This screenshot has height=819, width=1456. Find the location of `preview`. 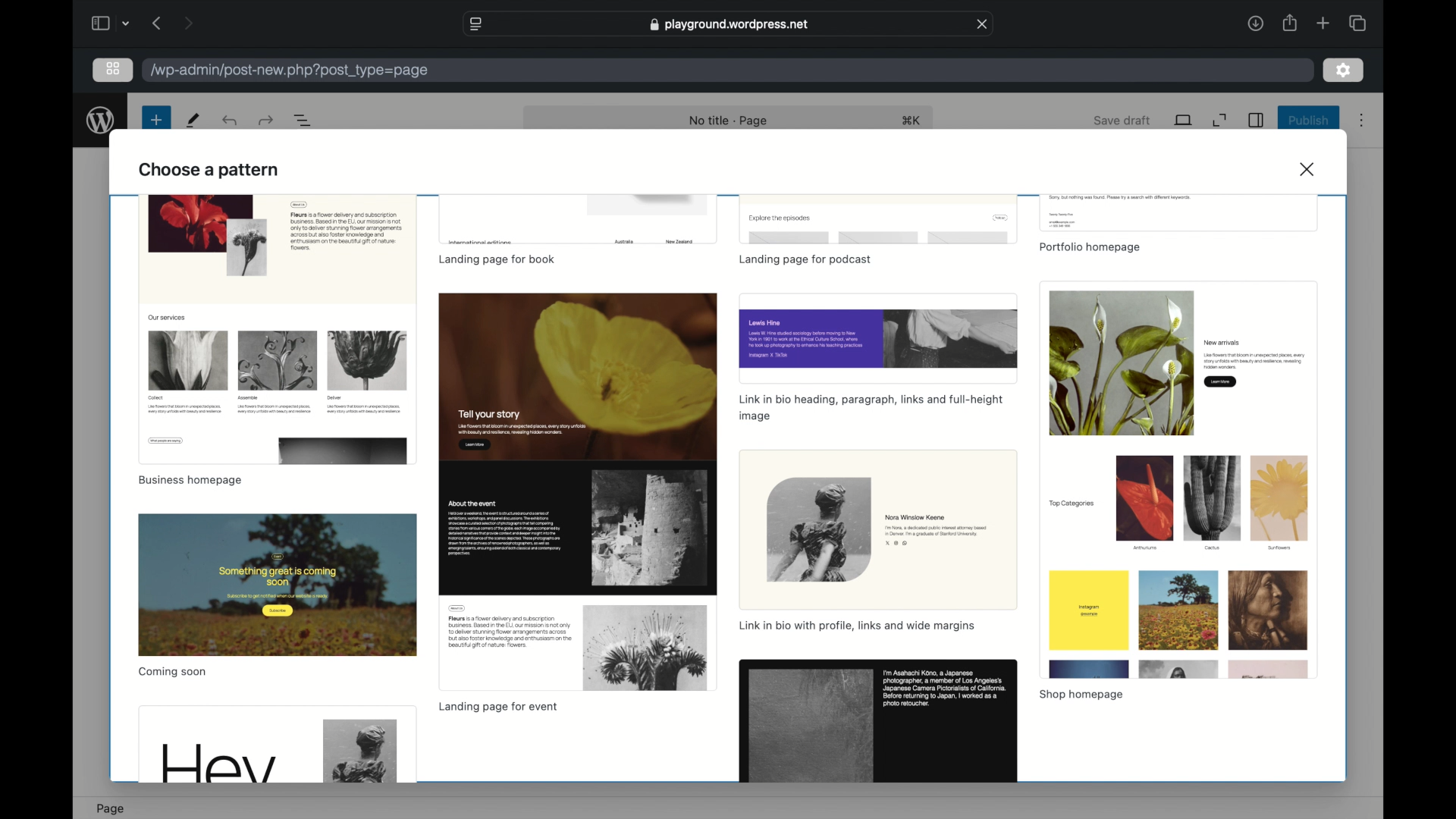

preview is located at coordinates (577, 219).